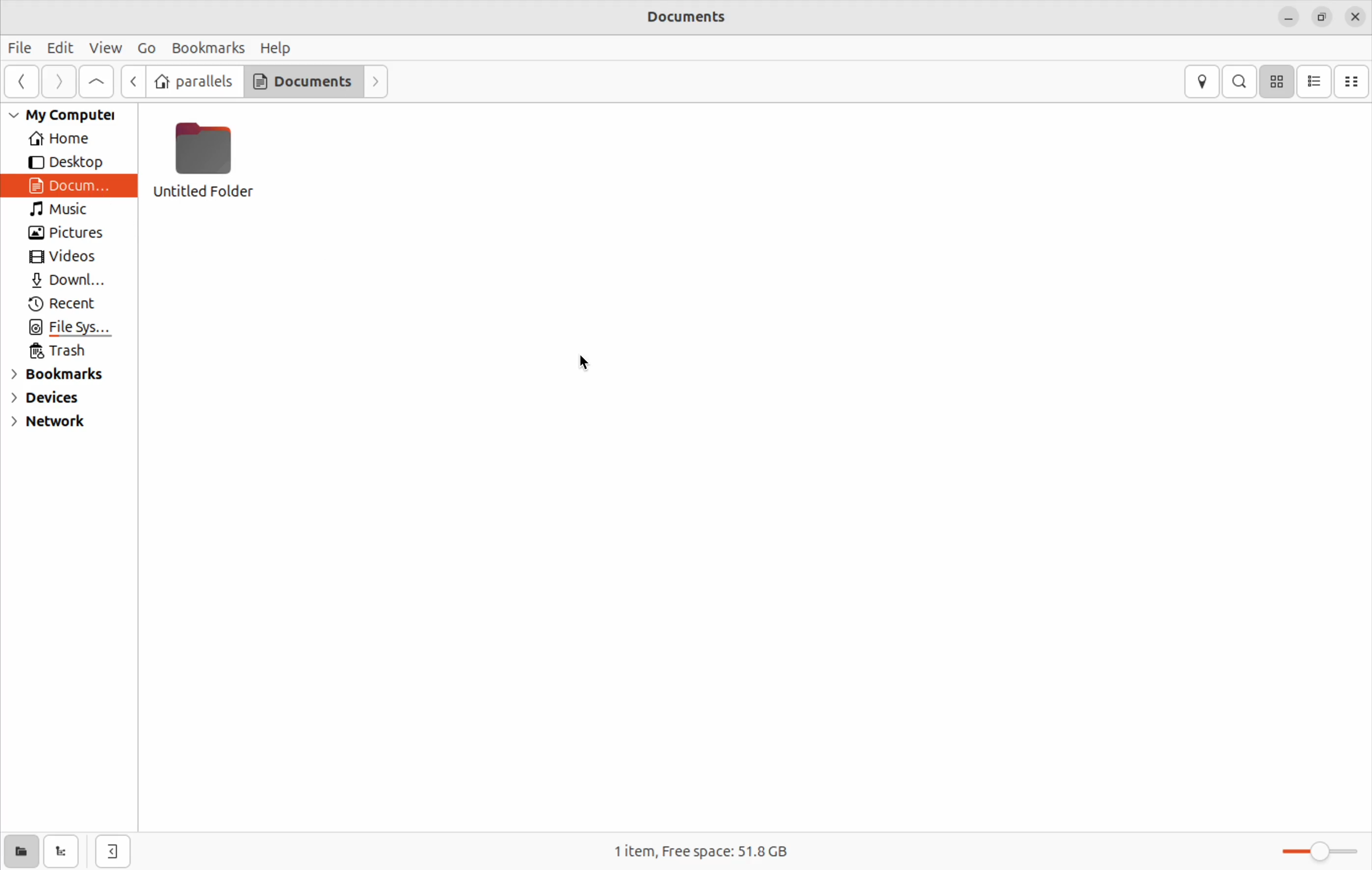 The image size is (1372, 870). I want to click on Next, so click(379, 81).